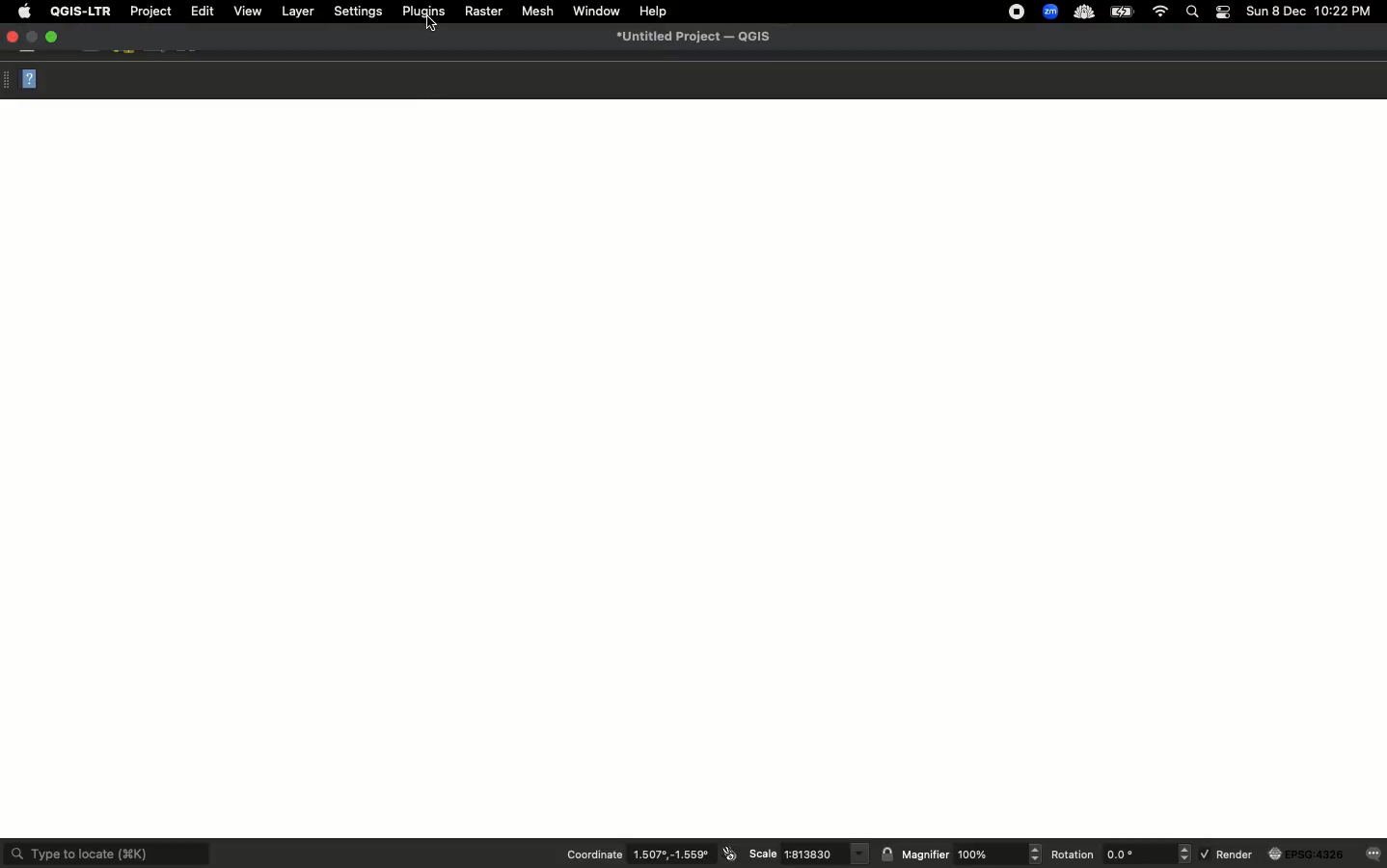 The width and height of the screenshot is (1387, 868). Describe the element at coordinates (150, 13) in the screenshot. I see `Project` at that location.